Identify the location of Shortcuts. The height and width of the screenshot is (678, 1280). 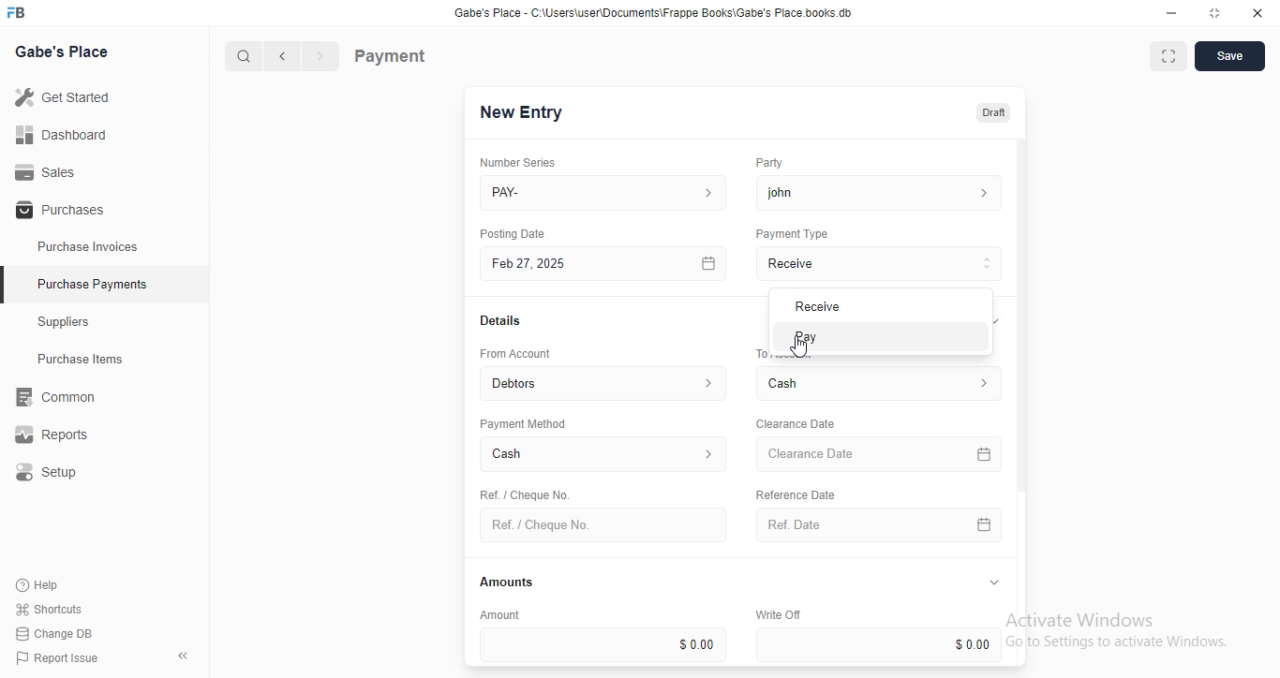
(47, 610).